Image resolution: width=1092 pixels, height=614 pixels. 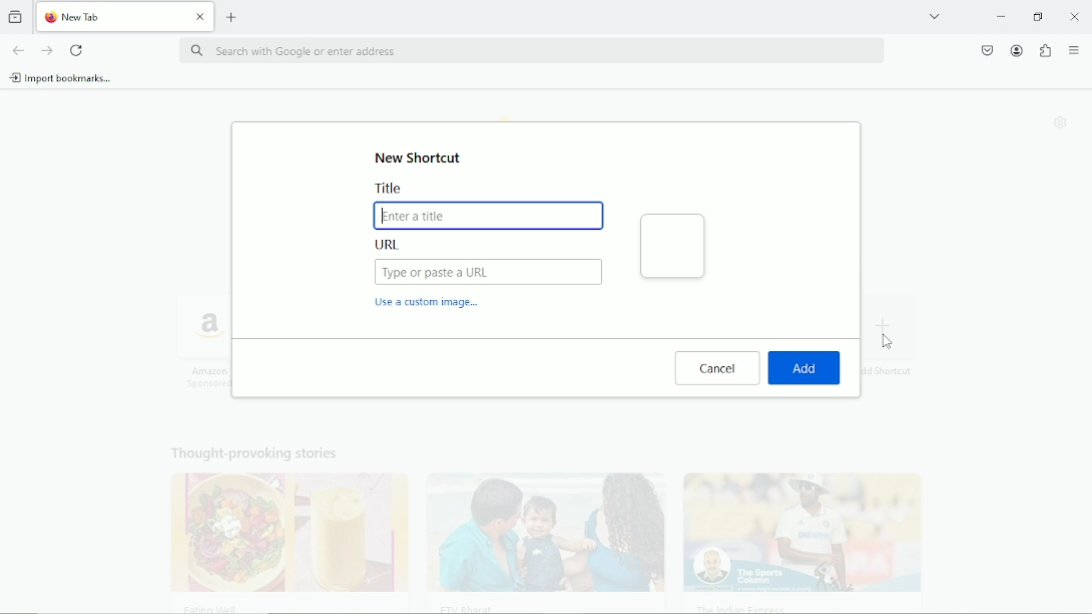 What do you see at coordinates (61, 77) in the screenshot?
I see `import bookmarks` at bounding box center [61, 77].